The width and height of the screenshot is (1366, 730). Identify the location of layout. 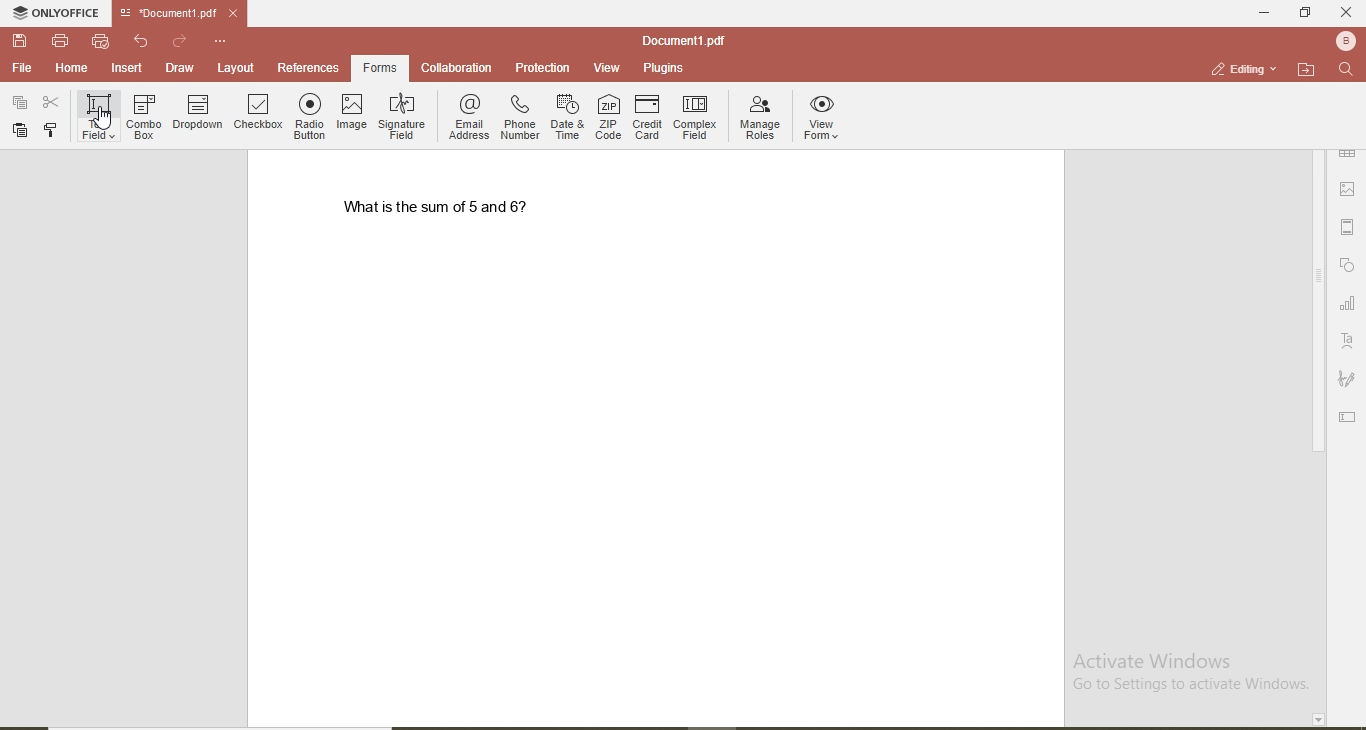
(240, 70).